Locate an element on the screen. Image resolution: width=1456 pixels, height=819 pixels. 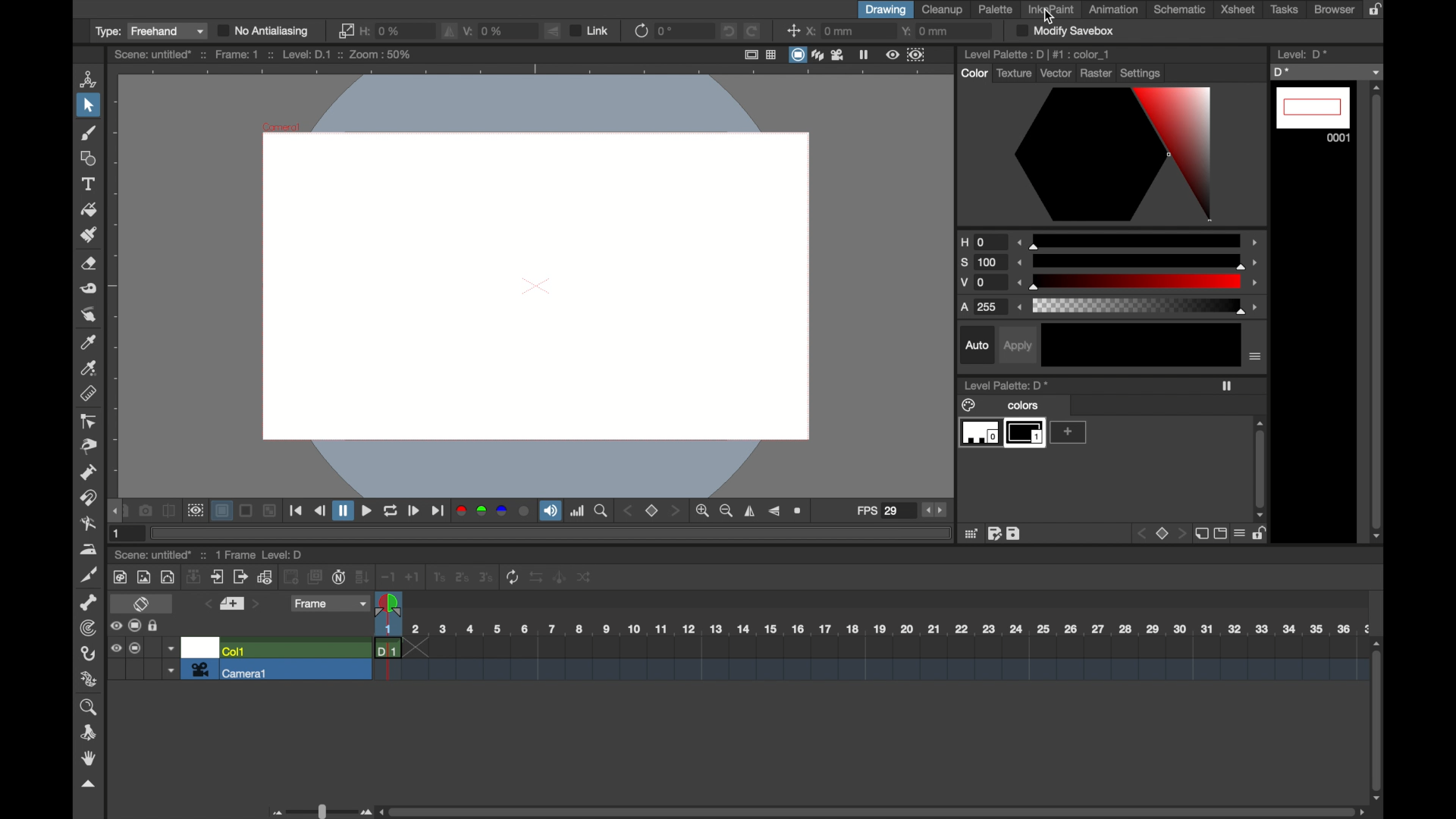
colors is located at coordinates (1002, 405).